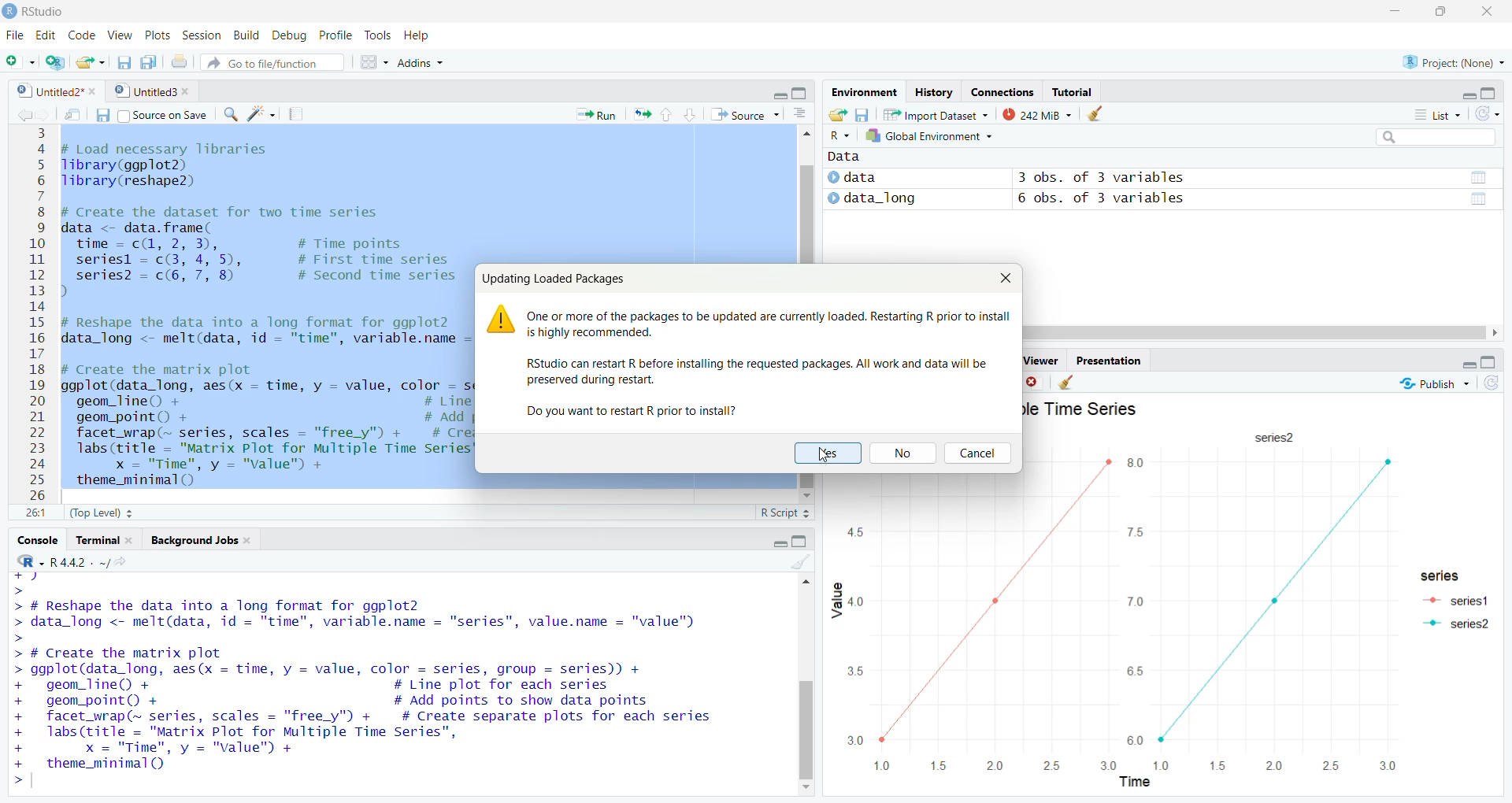 The width and height of the screenshot is (1512, 803). I want to click on minimize, so click(777, 545).